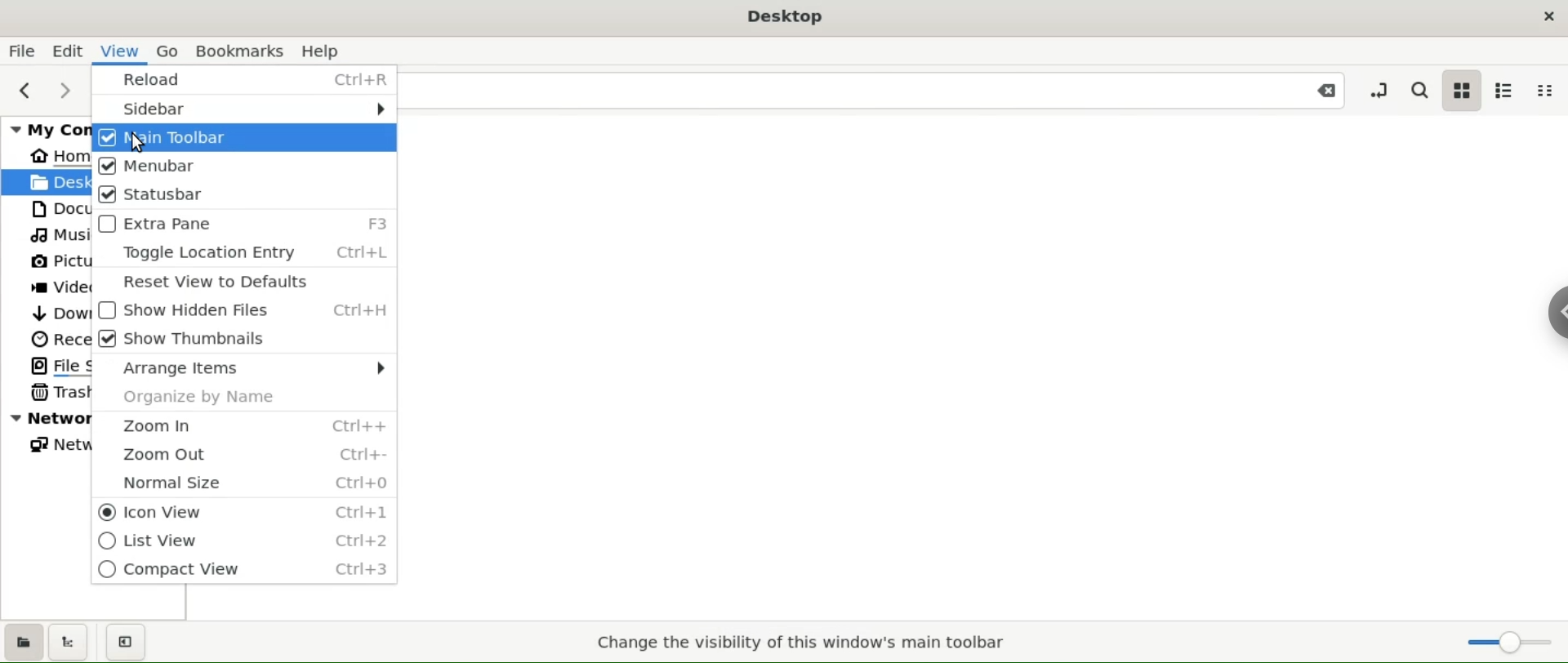 This screenshot has width=1568, height=663. What do you see at coordinates (1546, 20) in the screenshot?
I see `close` at bounding box center [1546, 20].